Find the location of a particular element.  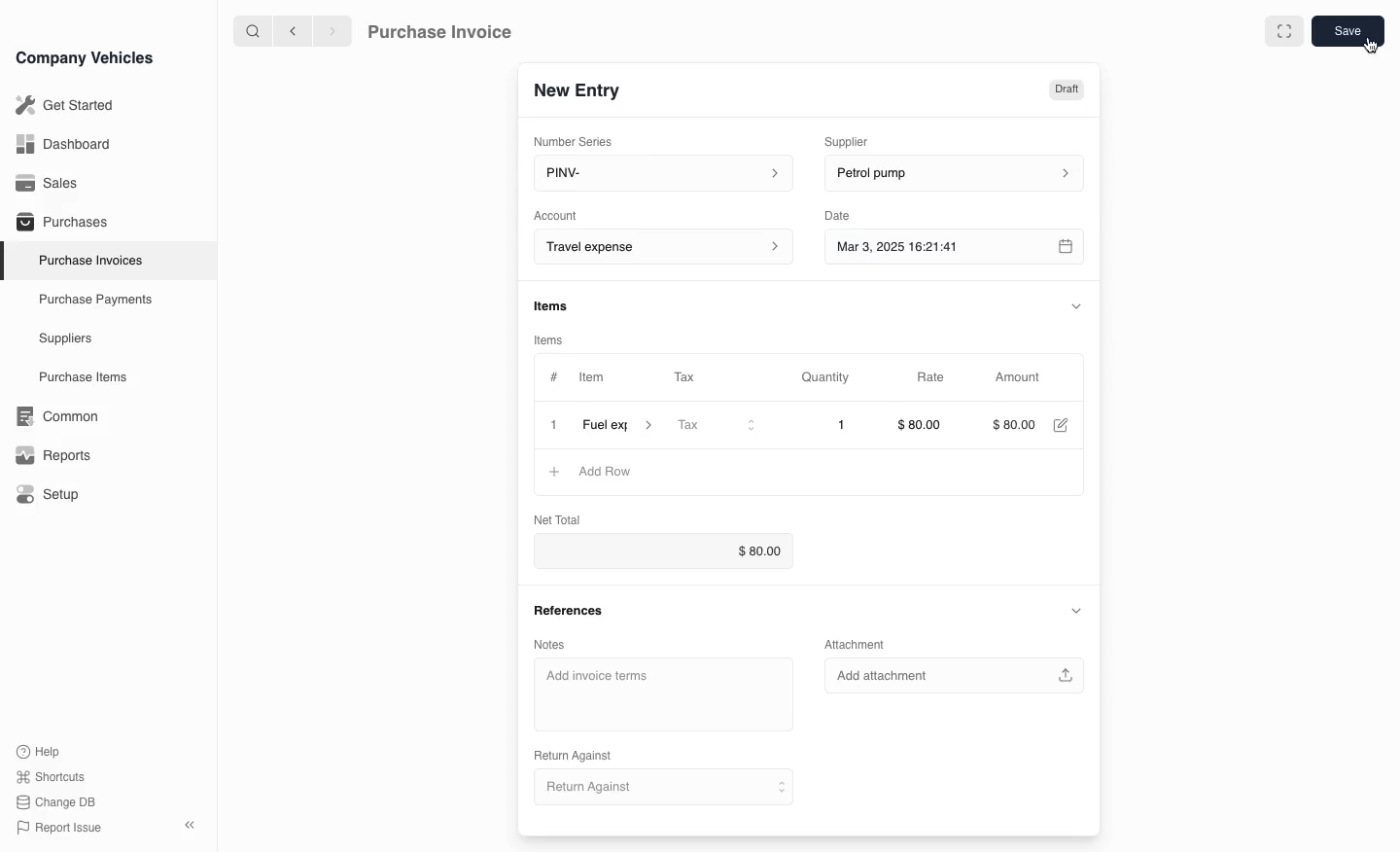

Notes. is located at coordinates (561, 641).